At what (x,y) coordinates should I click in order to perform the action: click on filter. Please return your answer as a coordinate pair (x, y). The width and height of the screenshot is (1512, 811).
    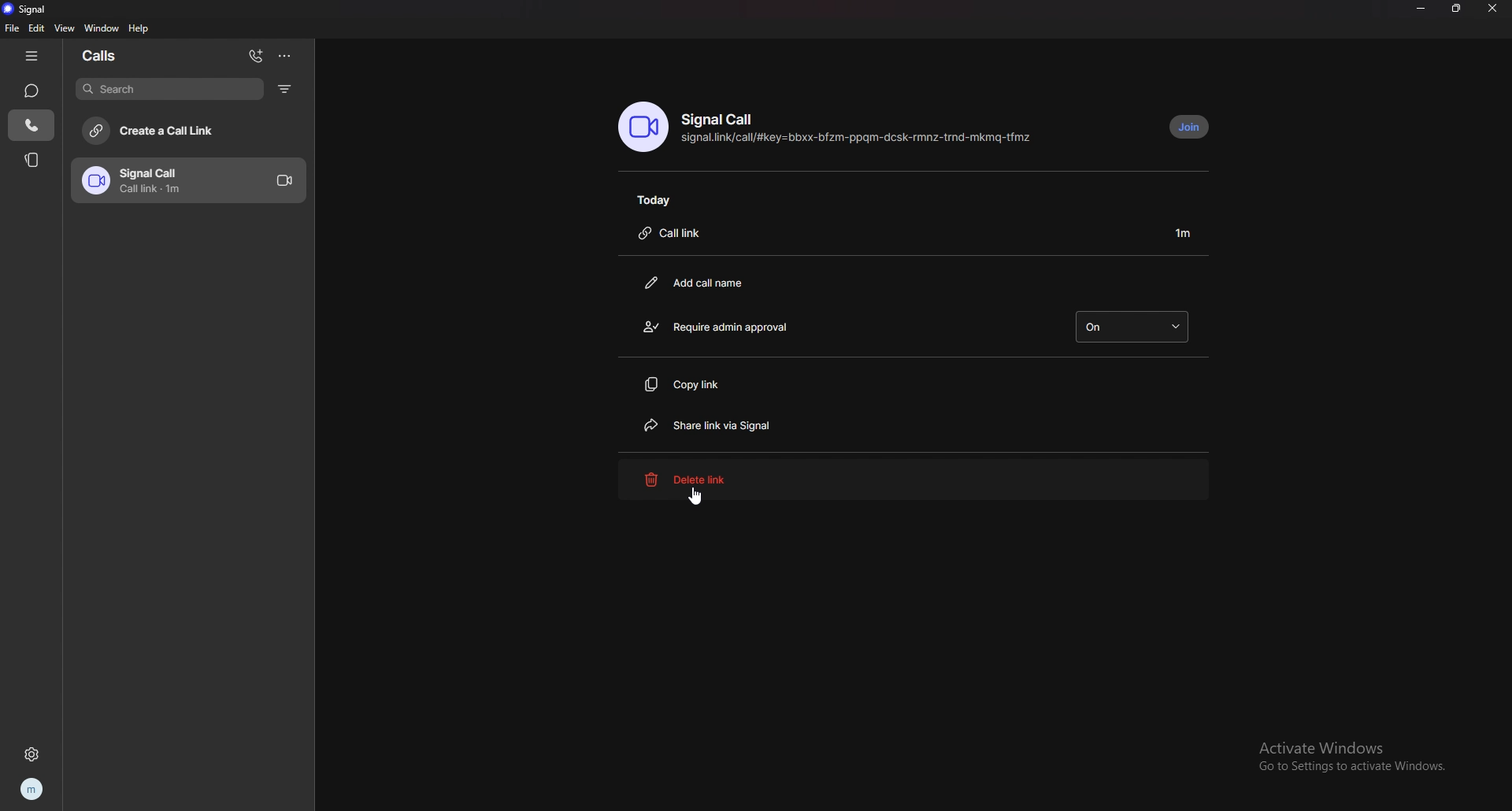
    Looking at the image, I should click on (288, 88).